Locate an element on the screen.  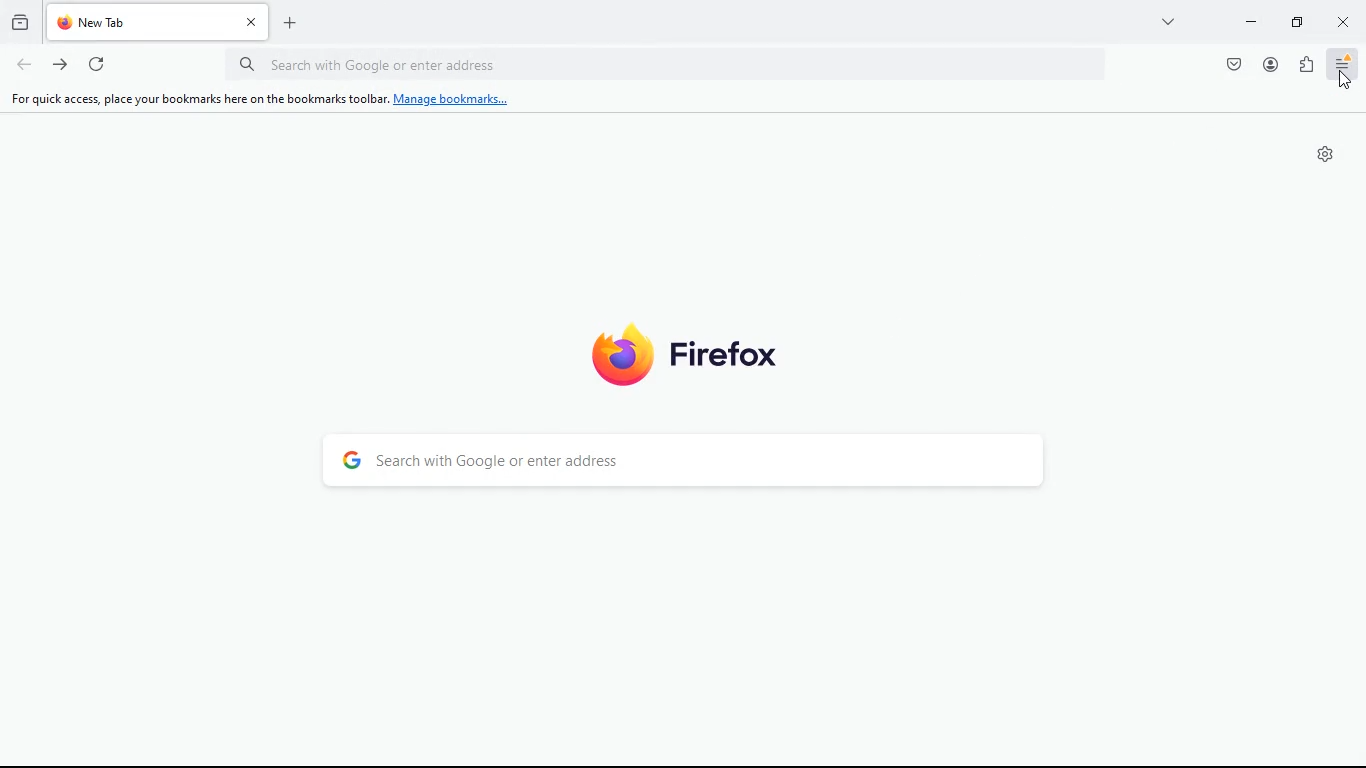
back is located at coordinates (24, 66).